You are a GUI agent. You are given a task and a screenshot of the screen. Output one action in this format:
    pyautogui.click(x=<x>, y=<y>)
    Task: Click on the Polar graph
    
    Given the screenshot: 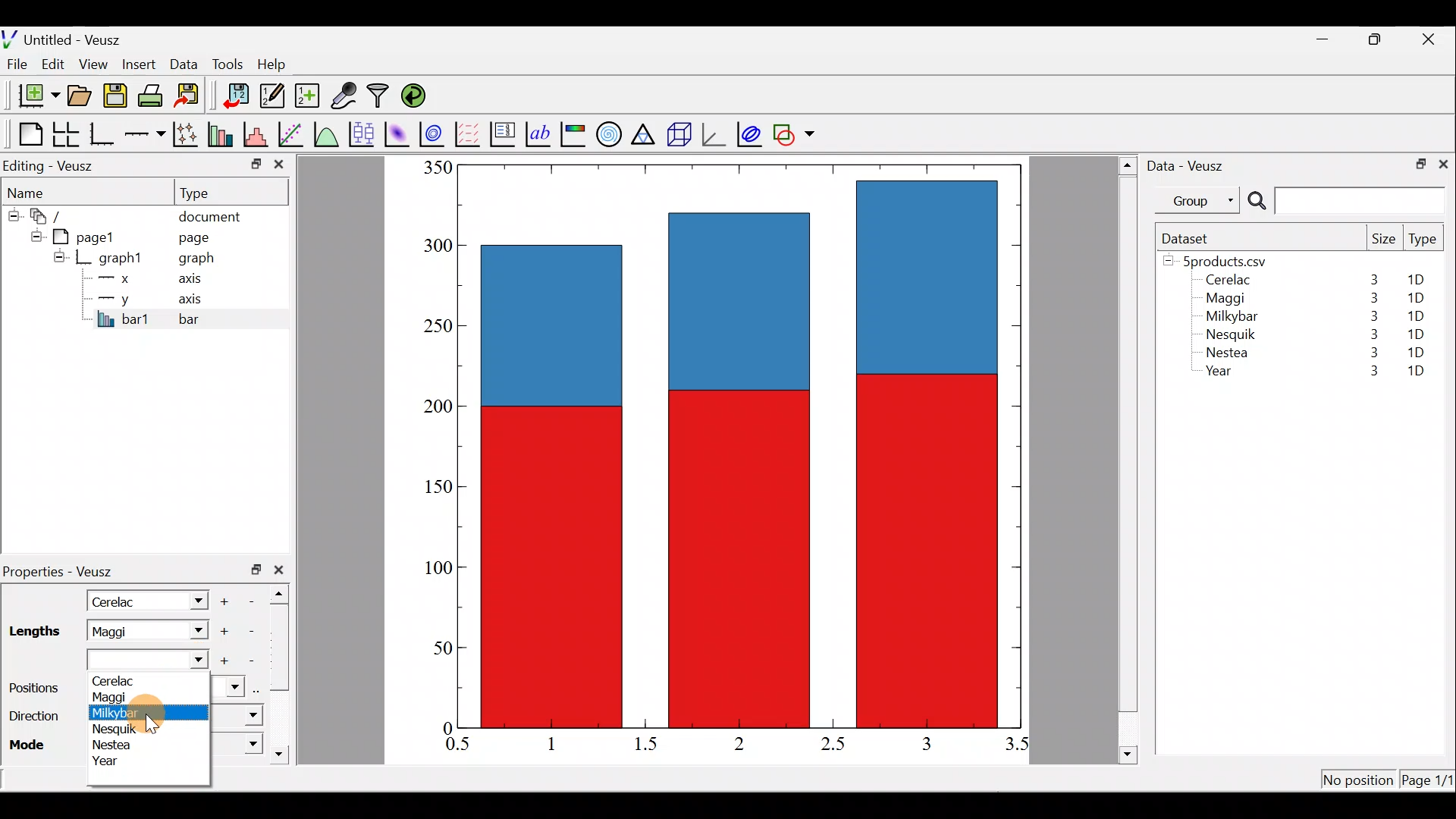 What is the action you would take?
    pyautogui.click(x=606, y=132)
    